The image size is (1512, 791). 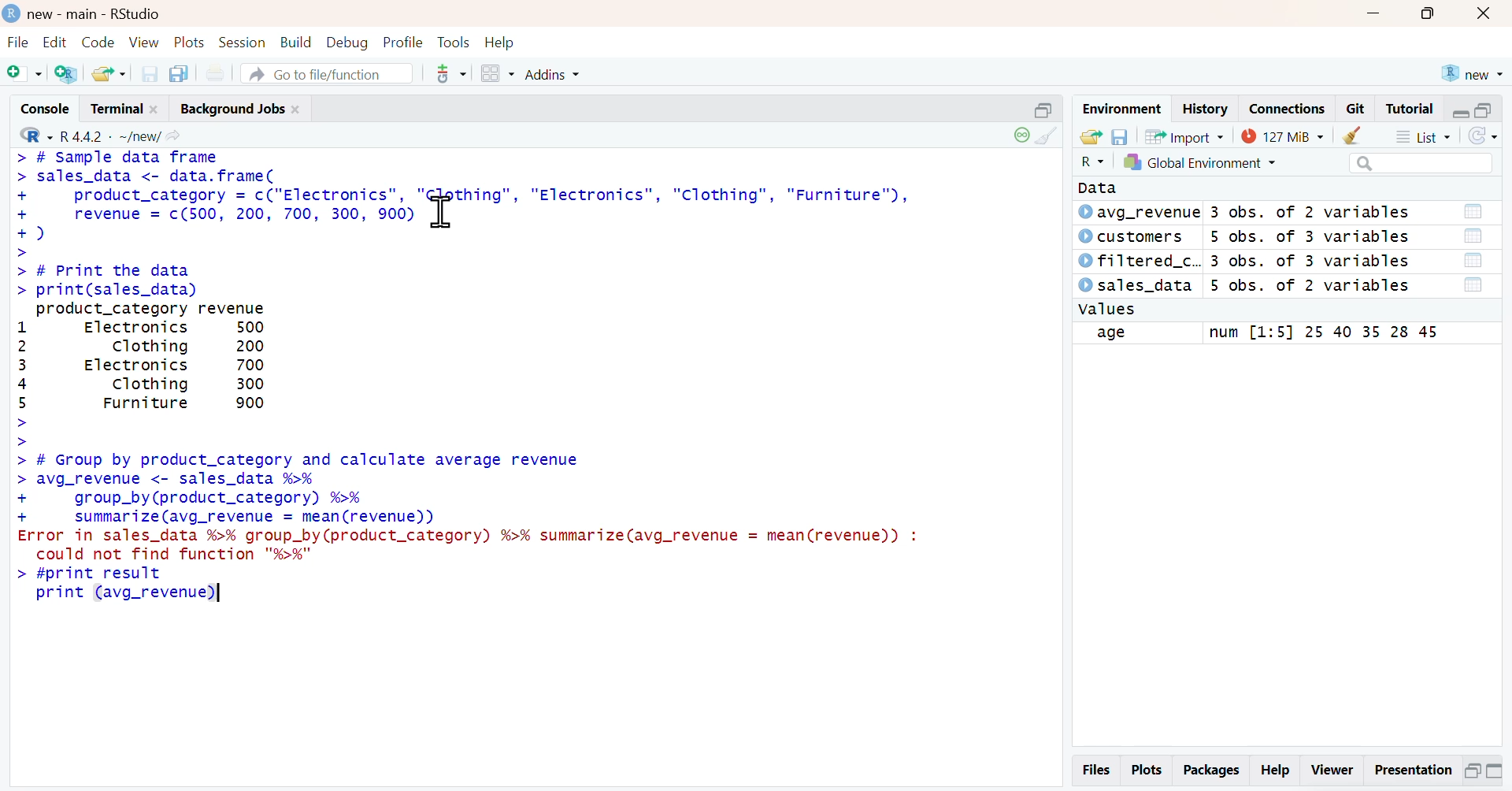 What do you see at coordinates (20, 43) in the screenshot?
I see `File` at bounding box center [20, 43].